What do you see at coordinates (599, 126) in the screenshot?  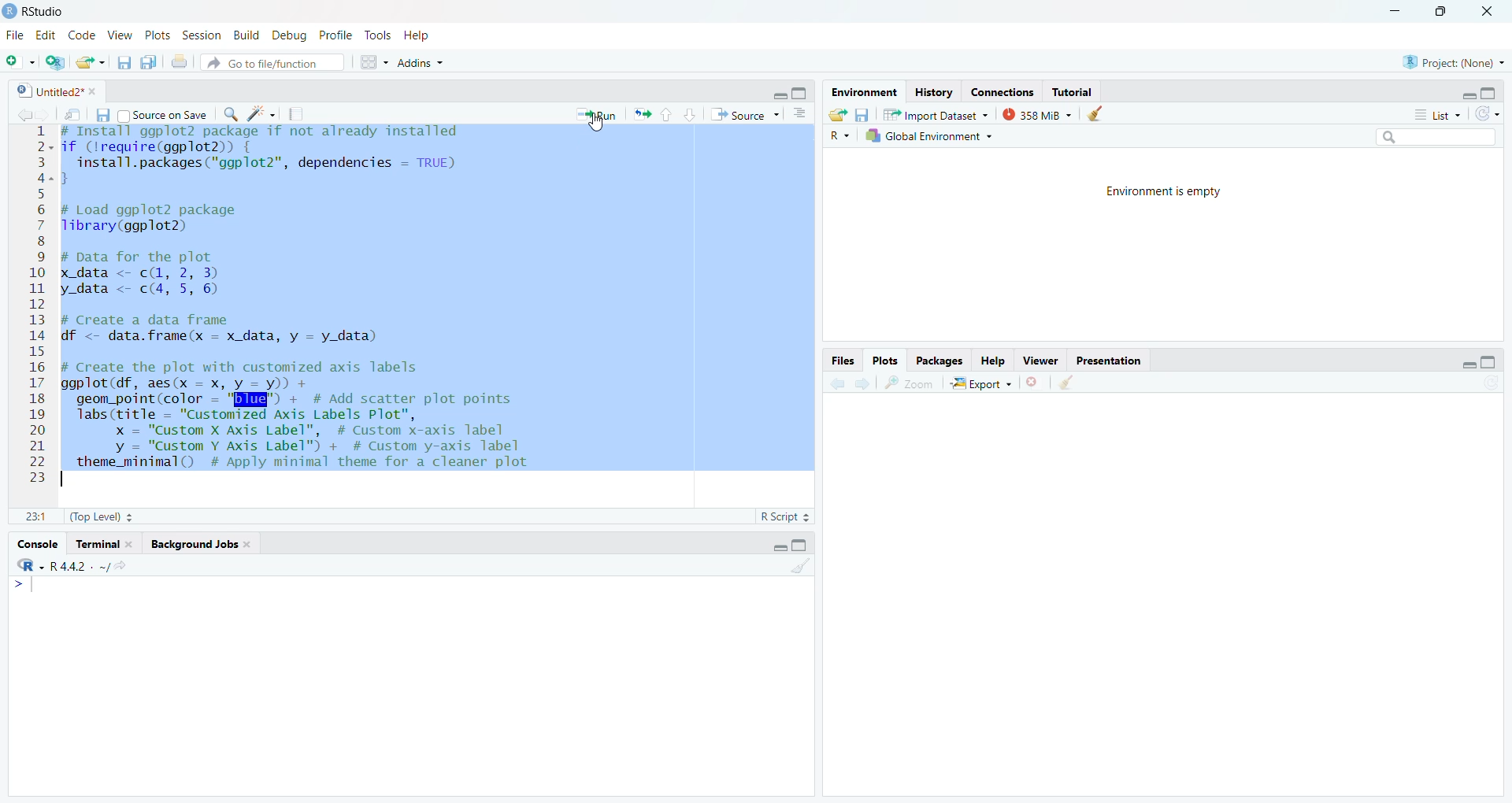 I see `cursor` at bounding box center [599, 126].